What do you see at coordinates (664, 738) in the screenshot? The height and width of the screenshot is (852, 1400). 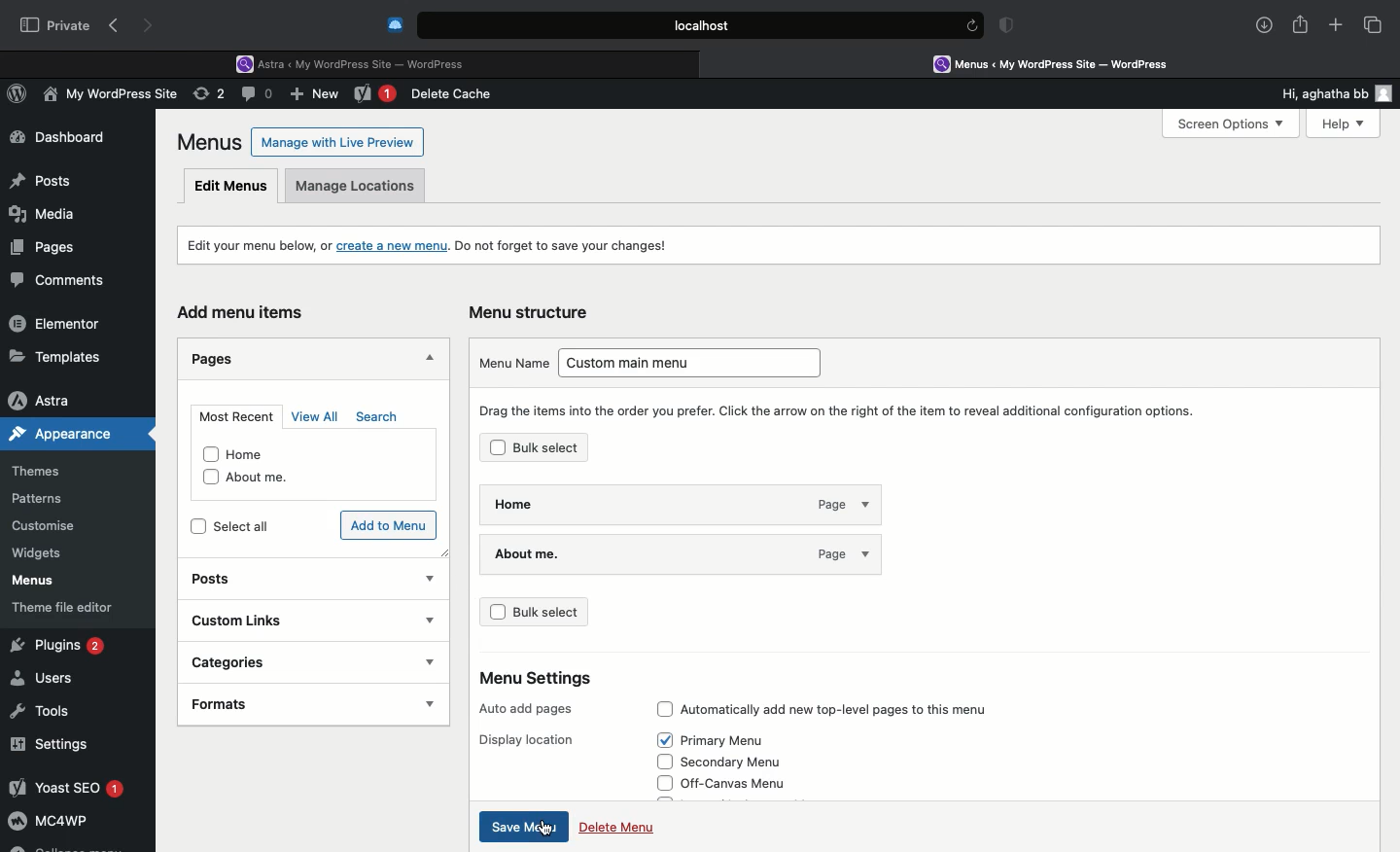 I see `Check box` at bounding box center [664, 738].